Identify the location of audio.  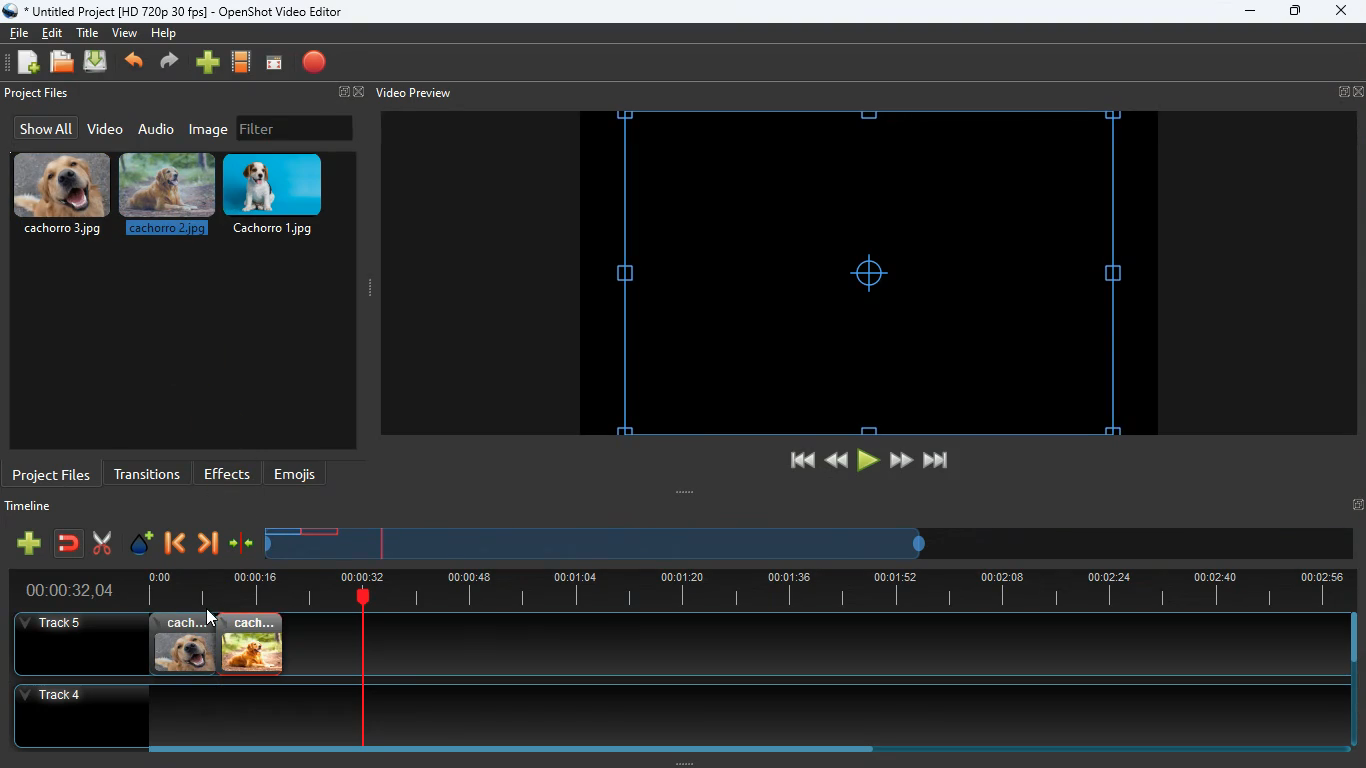
(157, 128).